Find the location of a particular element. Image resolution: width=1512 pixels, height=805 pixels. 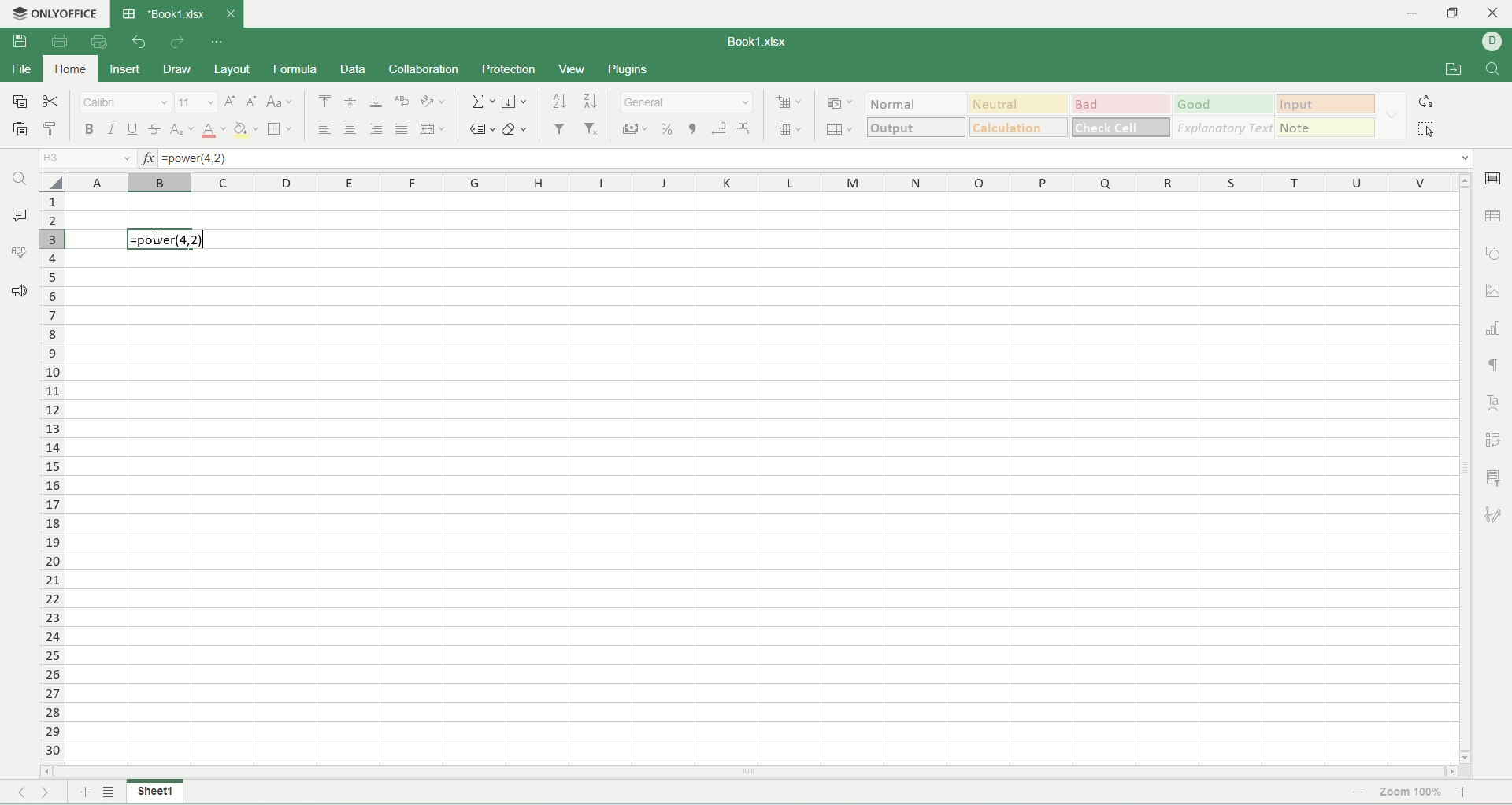

spreadsheet icon is located at coordinates (128, 14).